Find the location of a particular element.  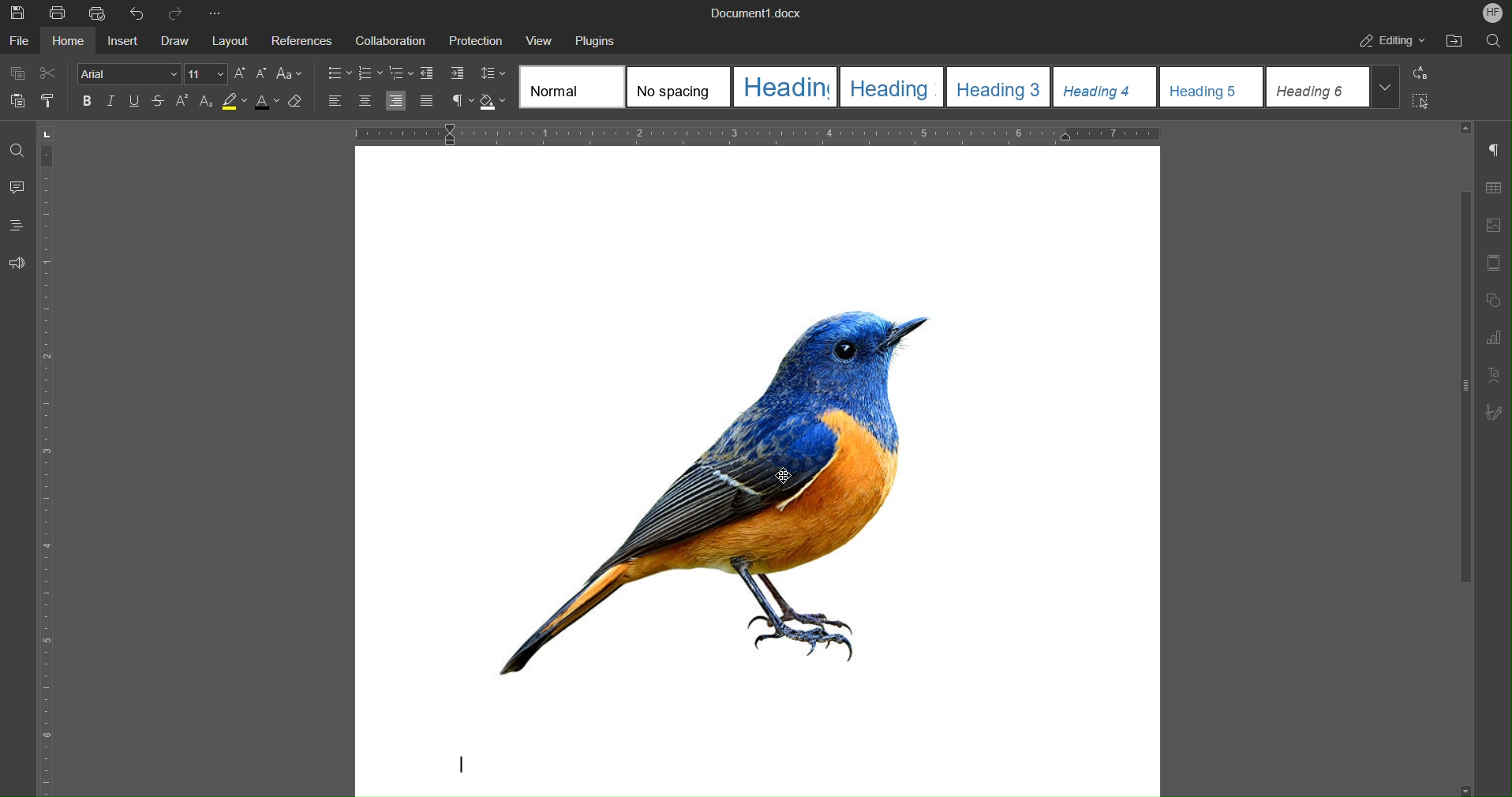

View is located at coordinates (531, 37).